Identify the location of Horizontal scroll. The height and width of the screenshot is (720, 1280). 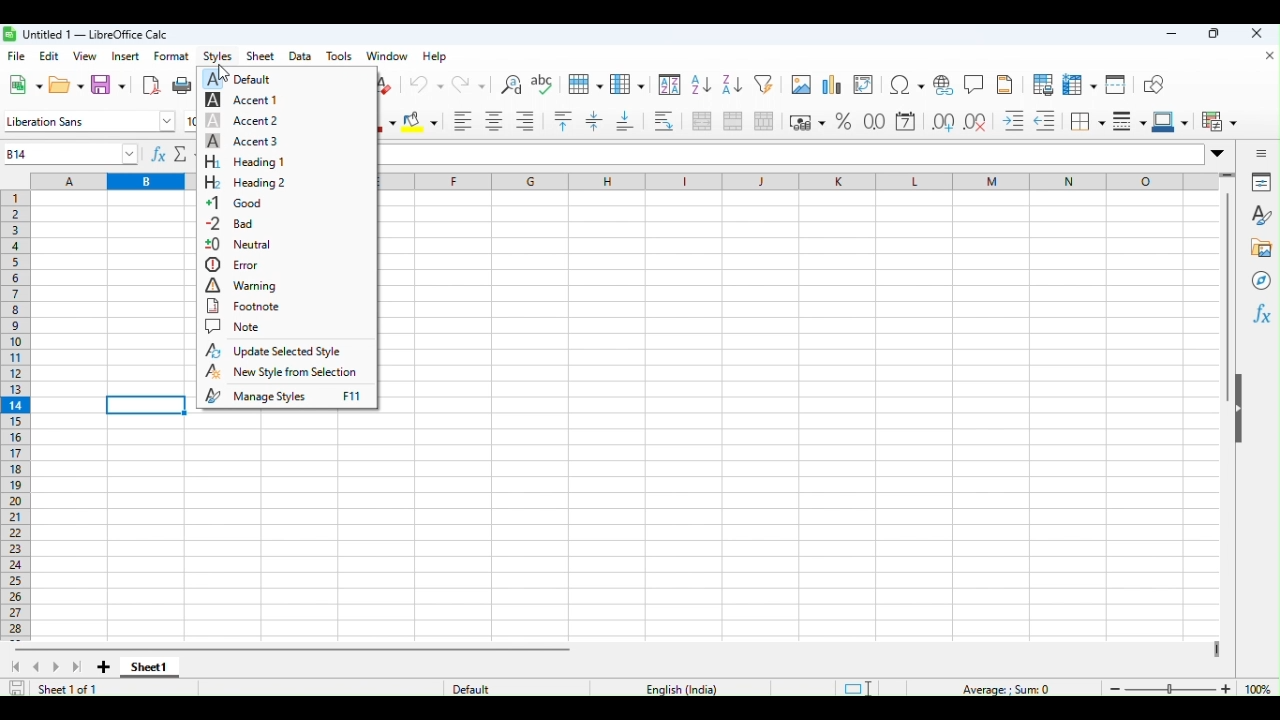
(296, 647).